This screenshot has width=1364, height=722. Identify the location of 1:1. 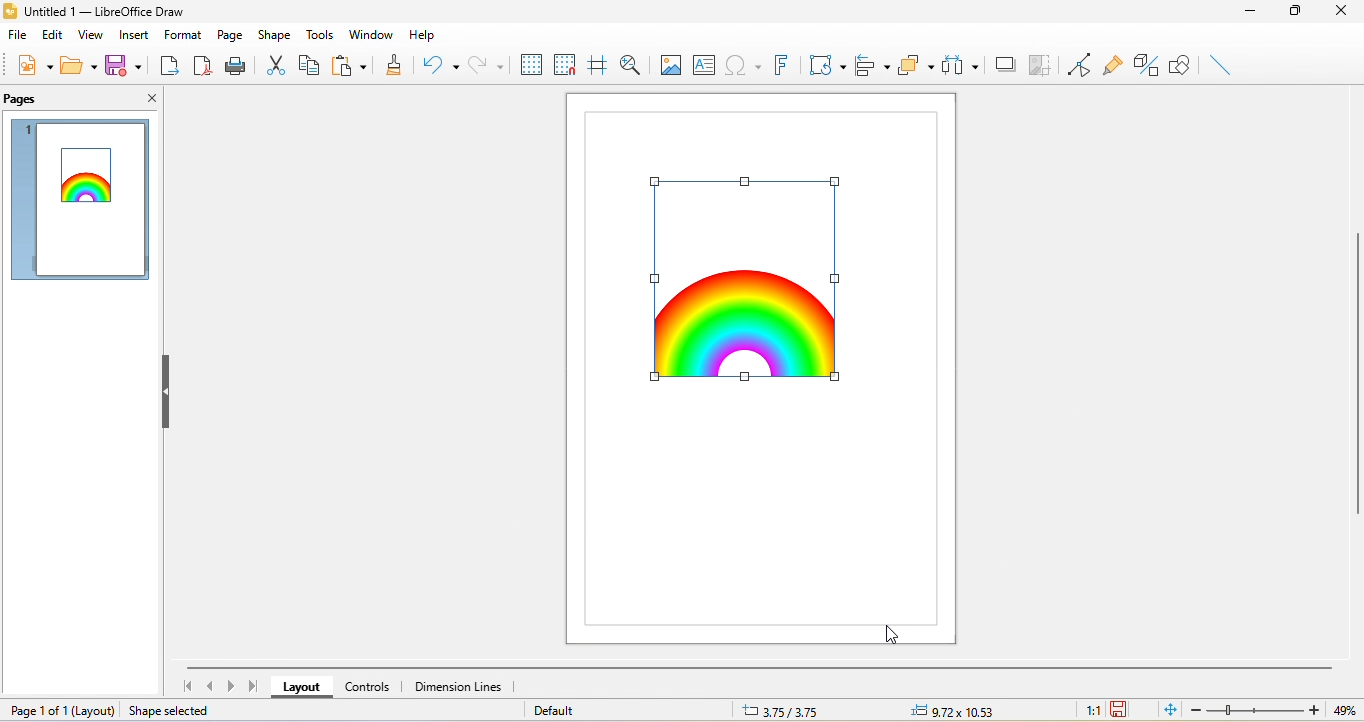
(1091, 711).